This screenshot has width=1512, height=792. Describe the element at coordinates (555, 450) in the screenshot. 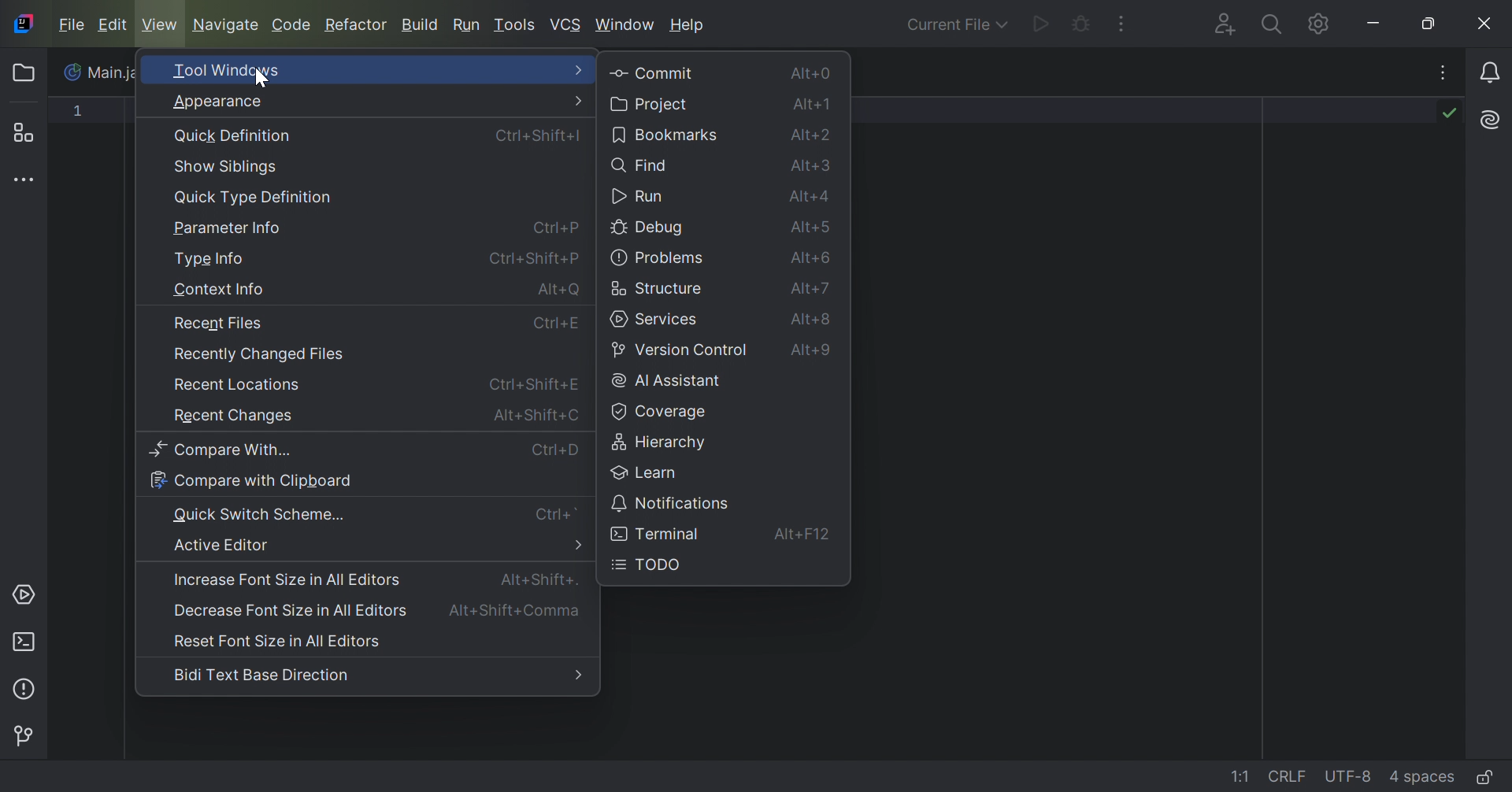

I see `Ctrl+D` at that location.